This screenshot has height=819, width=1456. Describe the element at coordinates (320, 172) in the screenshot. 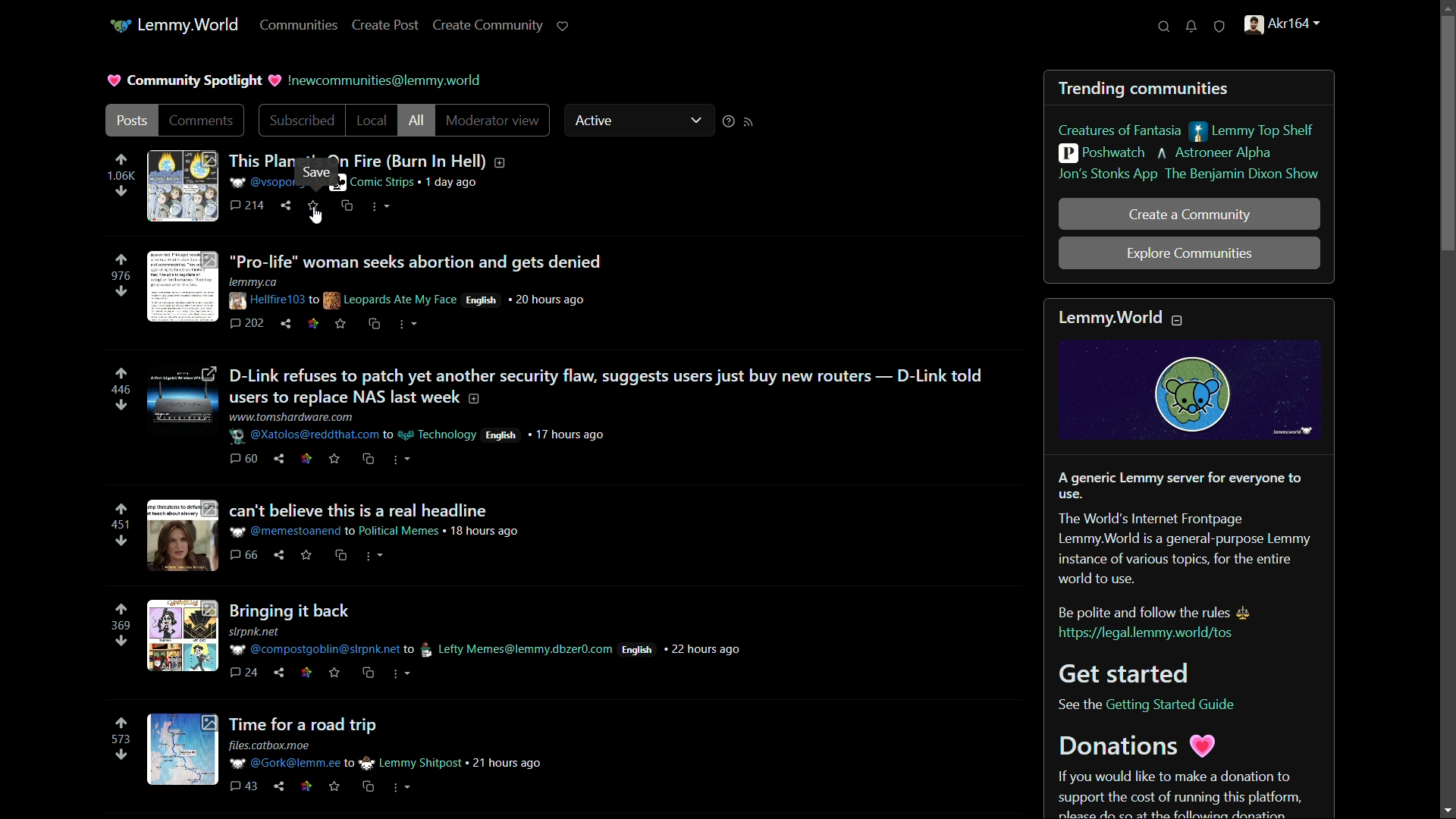

I see `save pop up` at that location.